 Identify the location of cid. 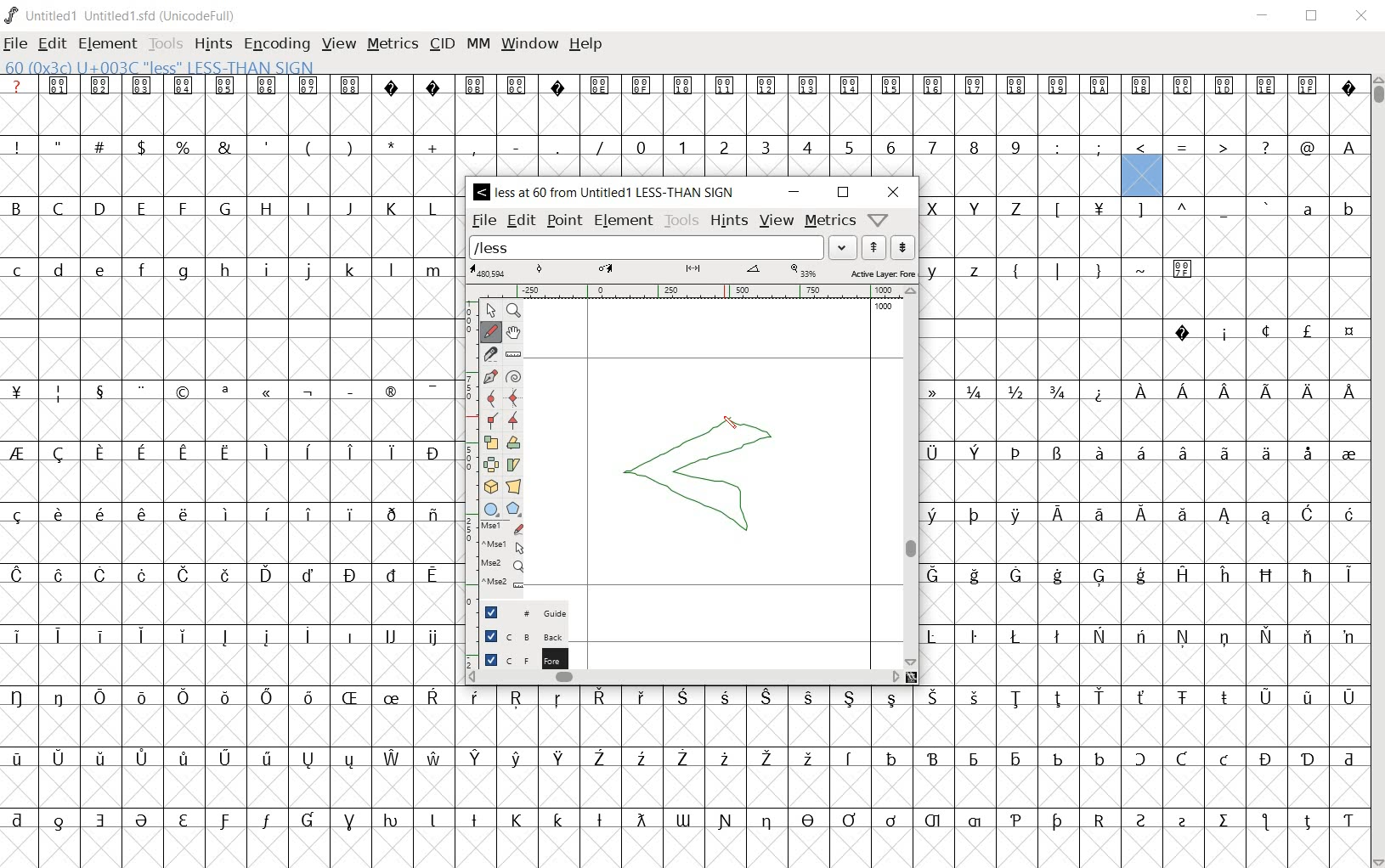
(441, 45).